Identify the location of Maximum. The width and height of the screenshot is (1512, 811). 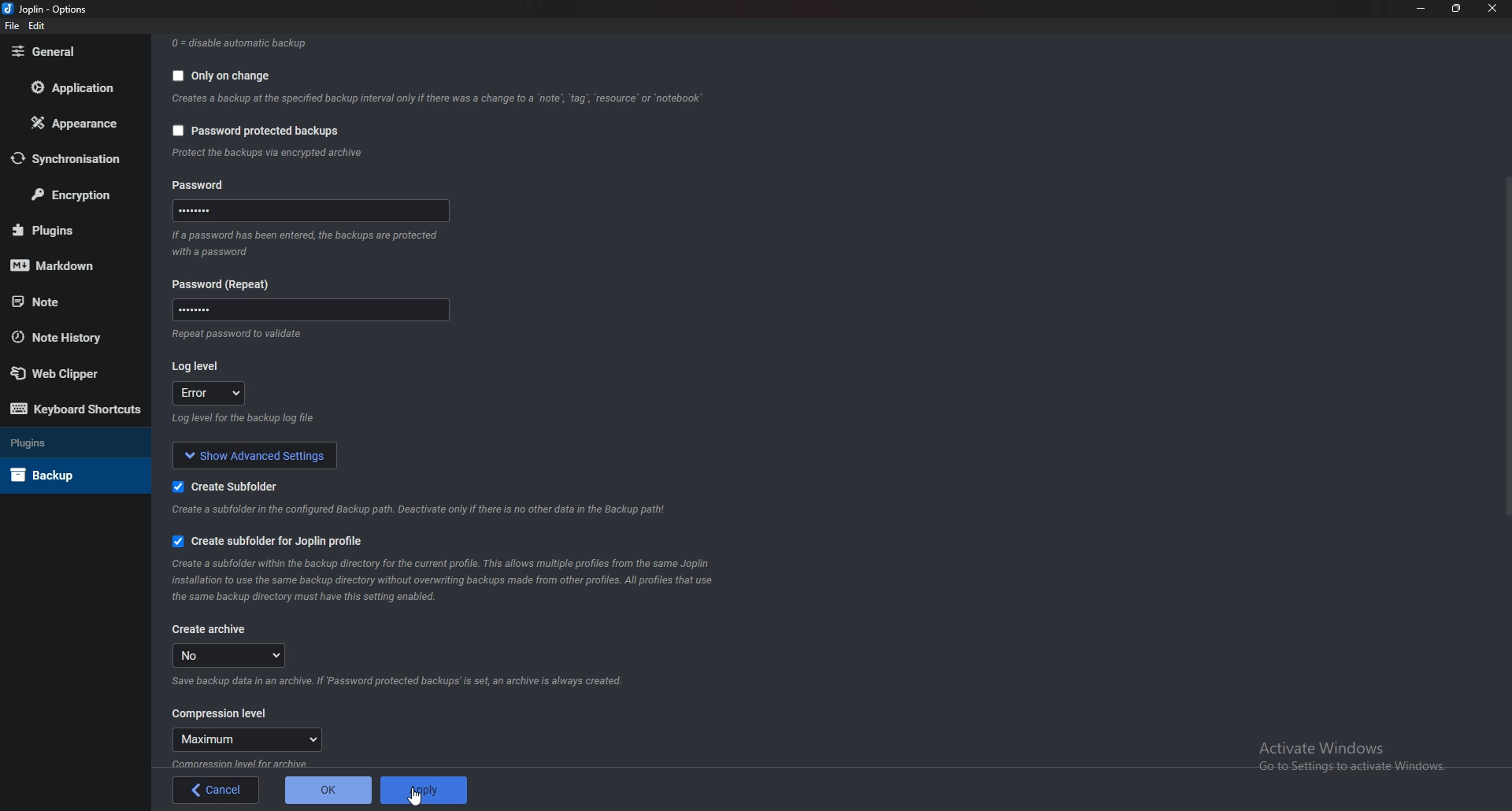
(241, 740).